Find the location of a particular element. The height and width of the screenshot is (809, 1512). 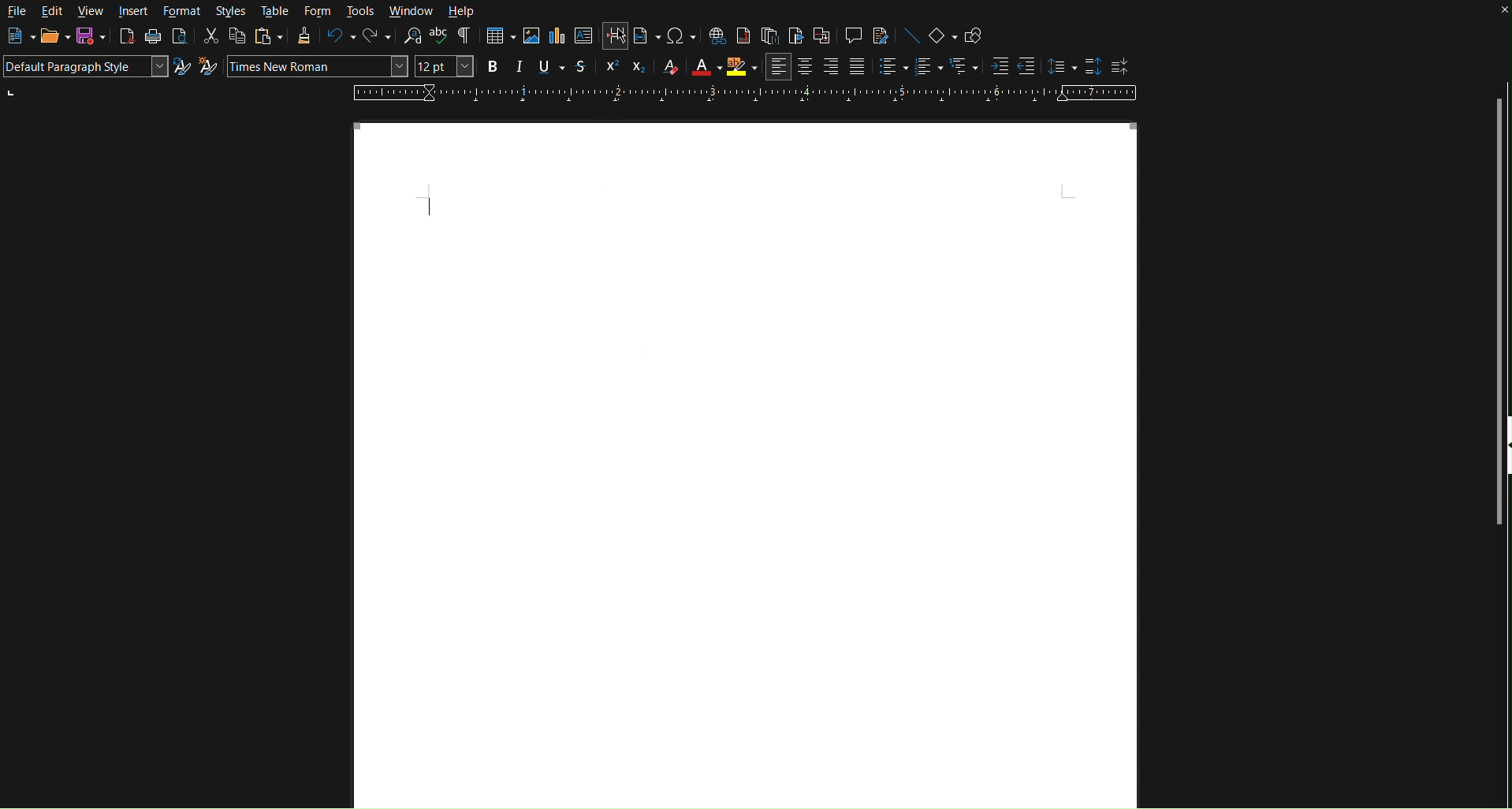

Toggle ordered list is located at coordinates (927, 67).